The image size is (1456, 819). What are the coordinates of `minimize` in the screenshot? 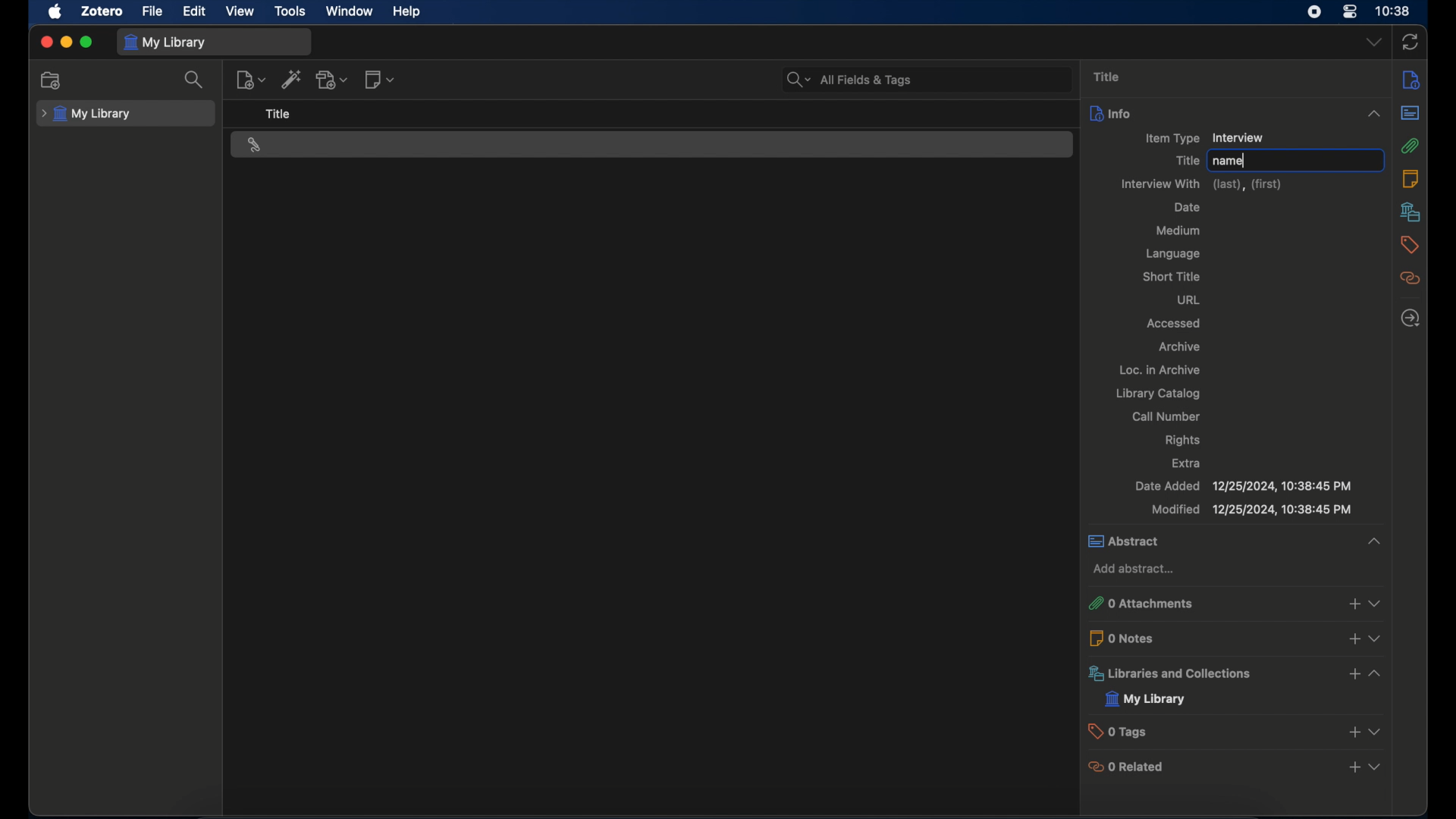 It's located at (65, 42).